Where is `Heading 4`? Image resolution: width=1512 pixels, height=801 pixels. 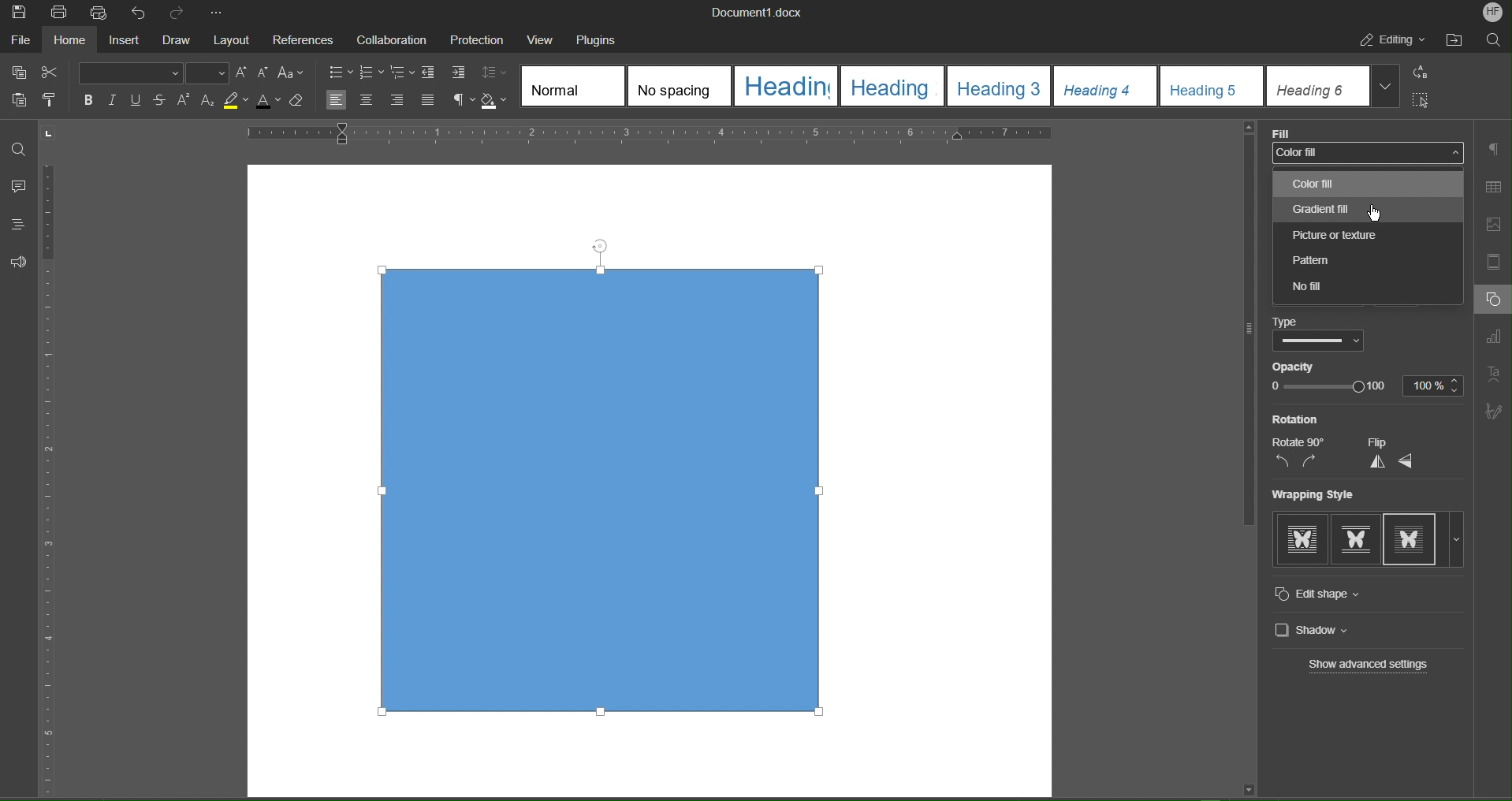
Heading 4 is located at coordinates (1103, 86).